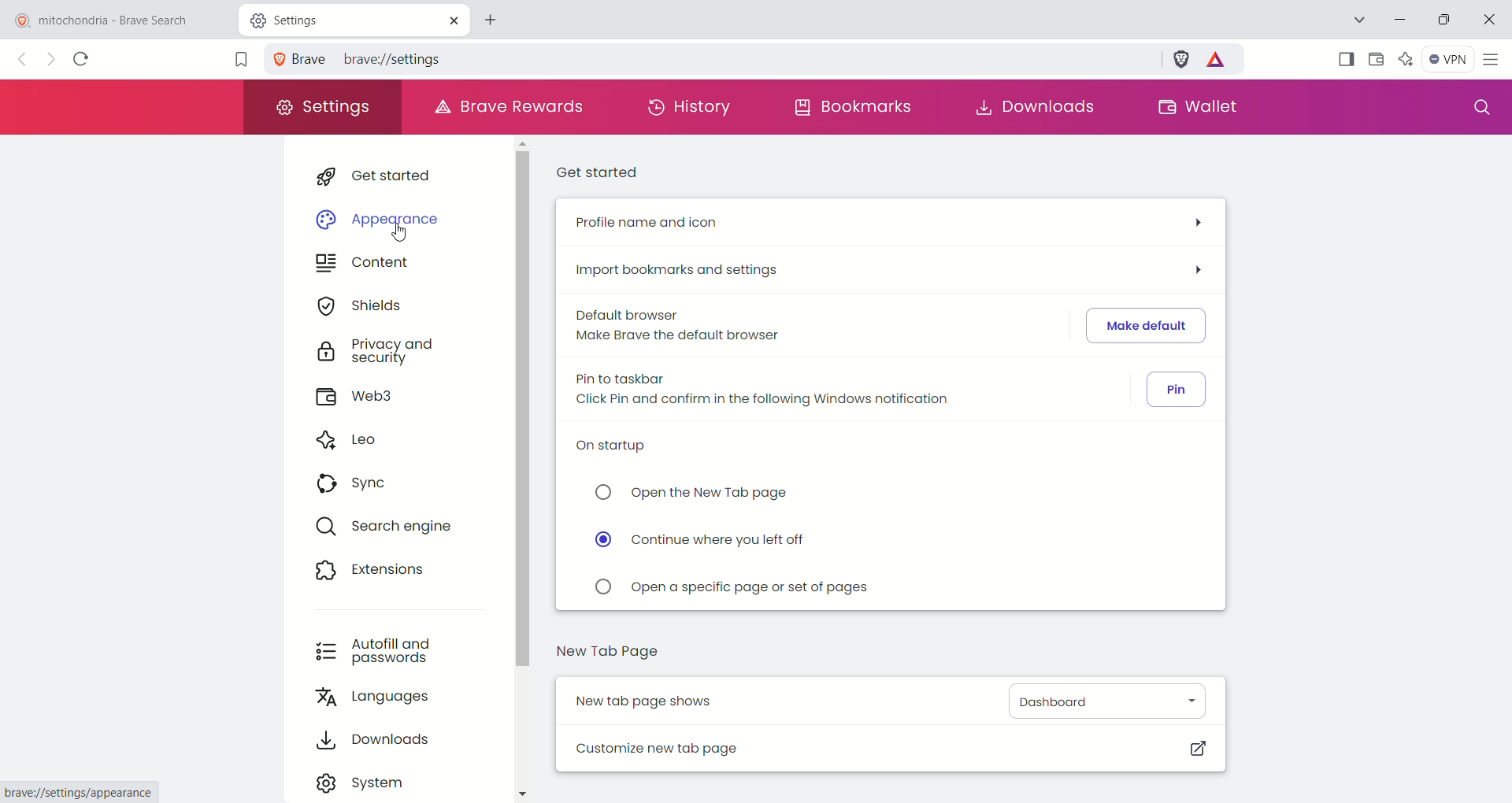  What do you see at coordinates (1182, 58) in the screenshot?
I see `brave schields` at bounding box center [1182, 58].